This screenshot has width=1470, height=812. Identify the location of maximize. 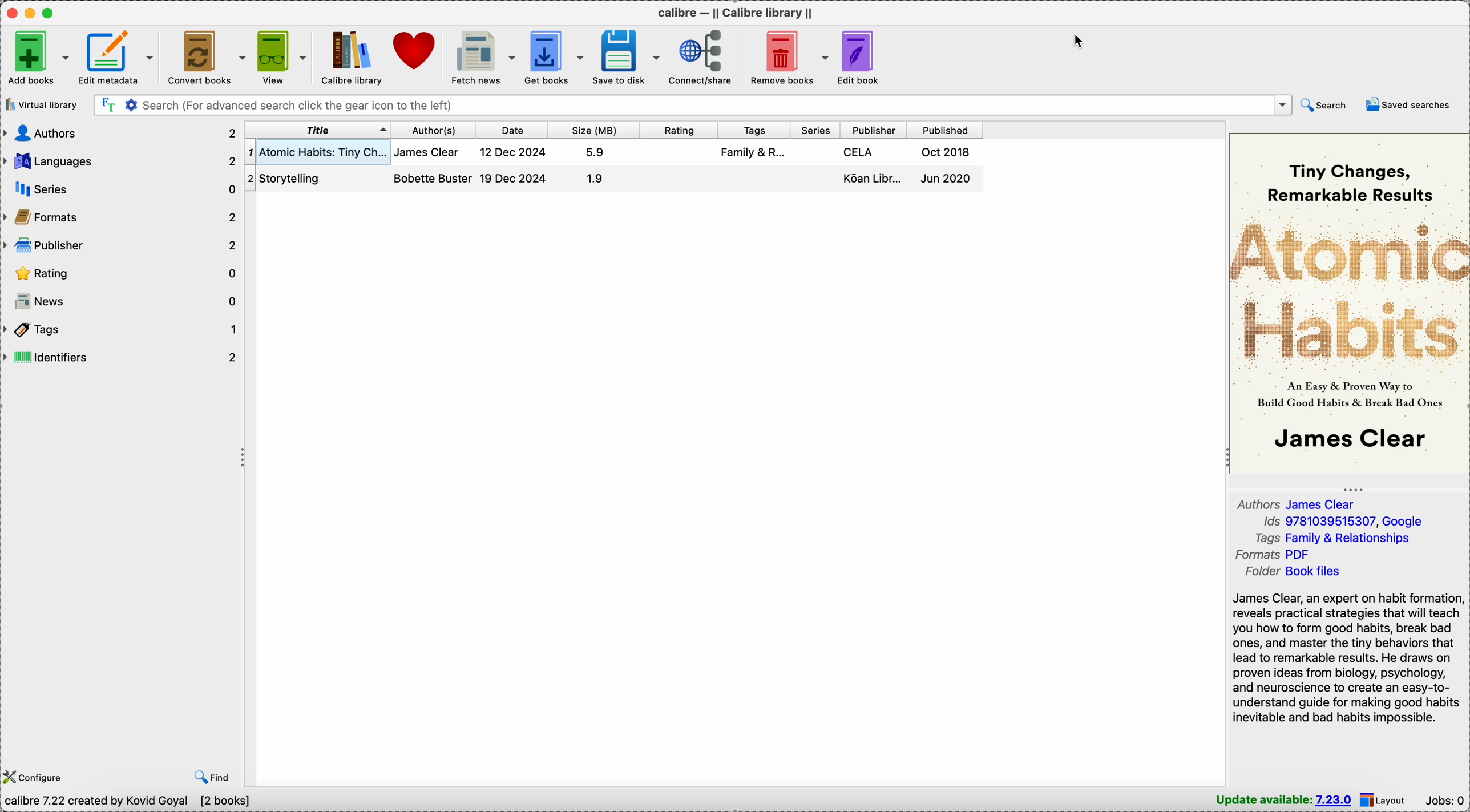
(49, 12).